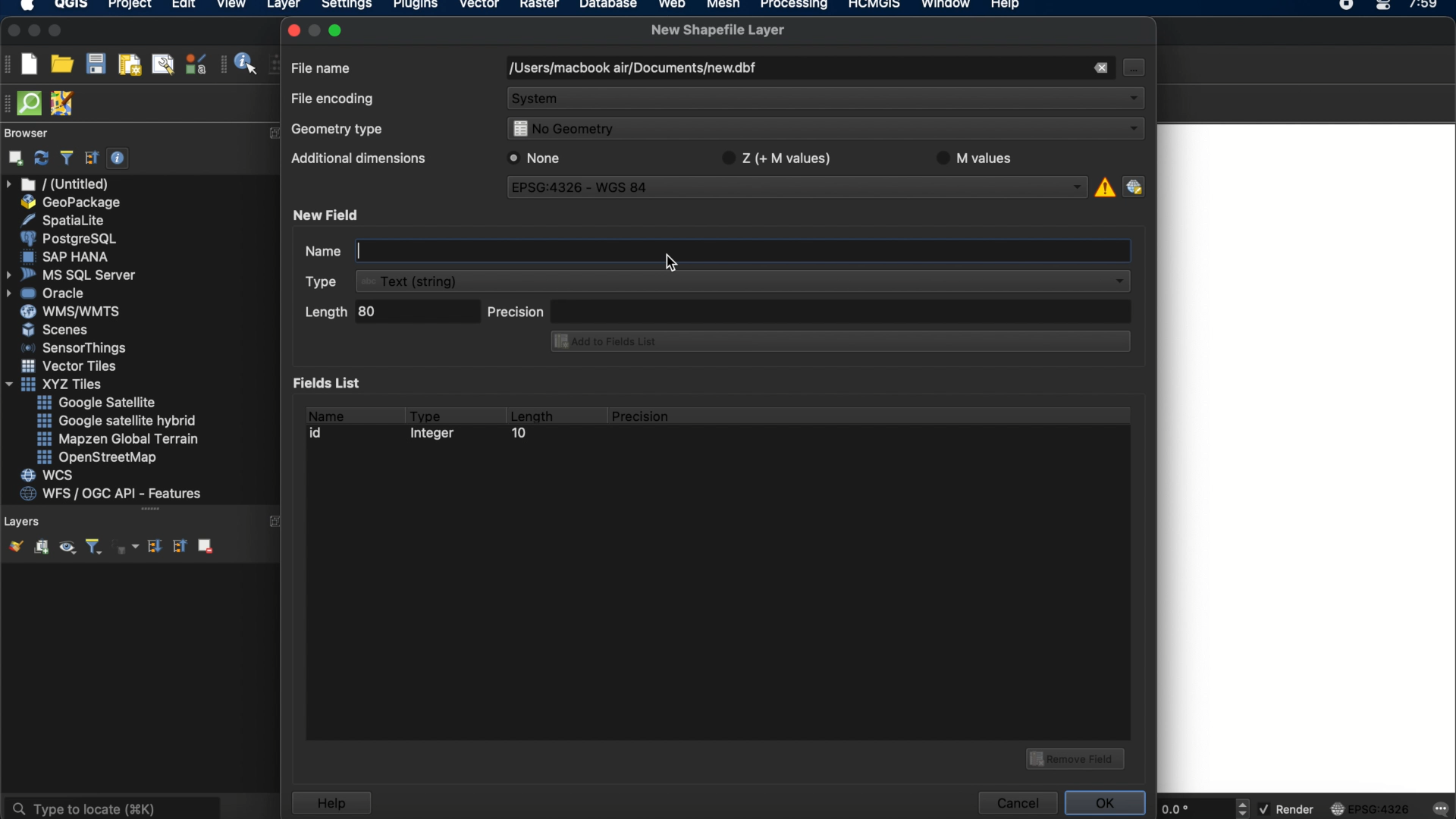 This screenshot has width=1456, height=819. What do you see at coordinates (1370, 808) in the screenshot?
I see `current crs` at bounding box center [1370, 808].